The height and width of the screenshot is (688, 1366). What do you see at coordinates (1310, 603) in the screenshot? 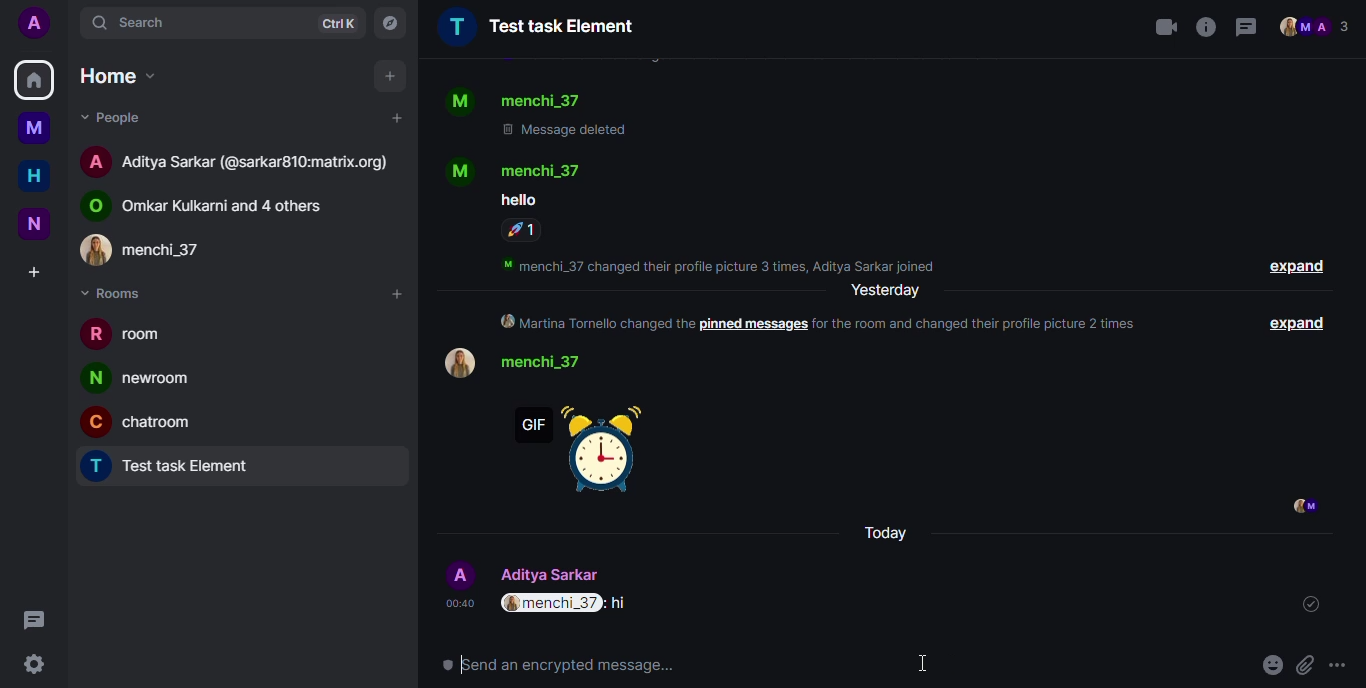
I see `sent` at bounding box center [1310, 603].